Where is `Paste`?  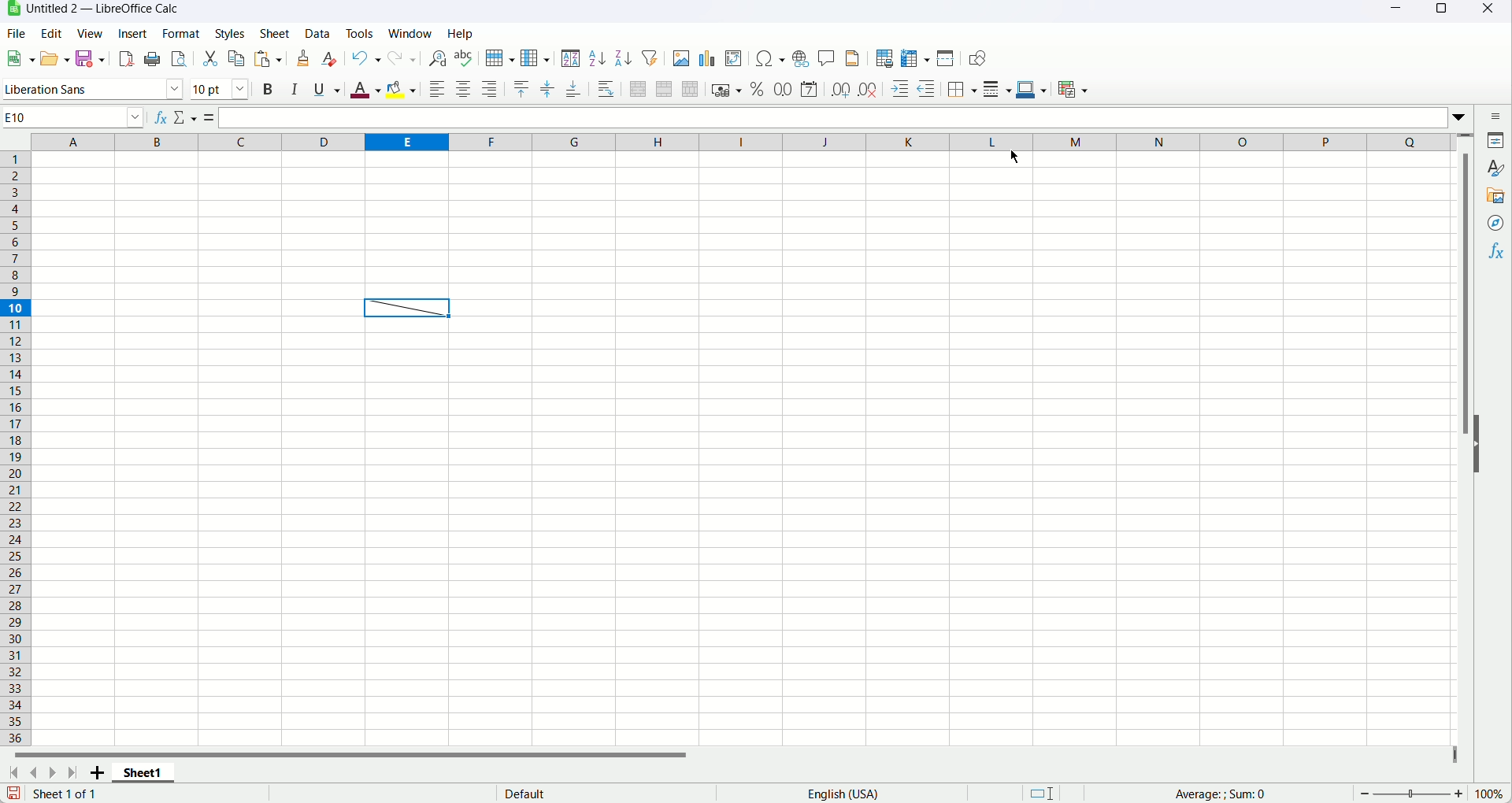 Paste is located at coordinates (267, 59).